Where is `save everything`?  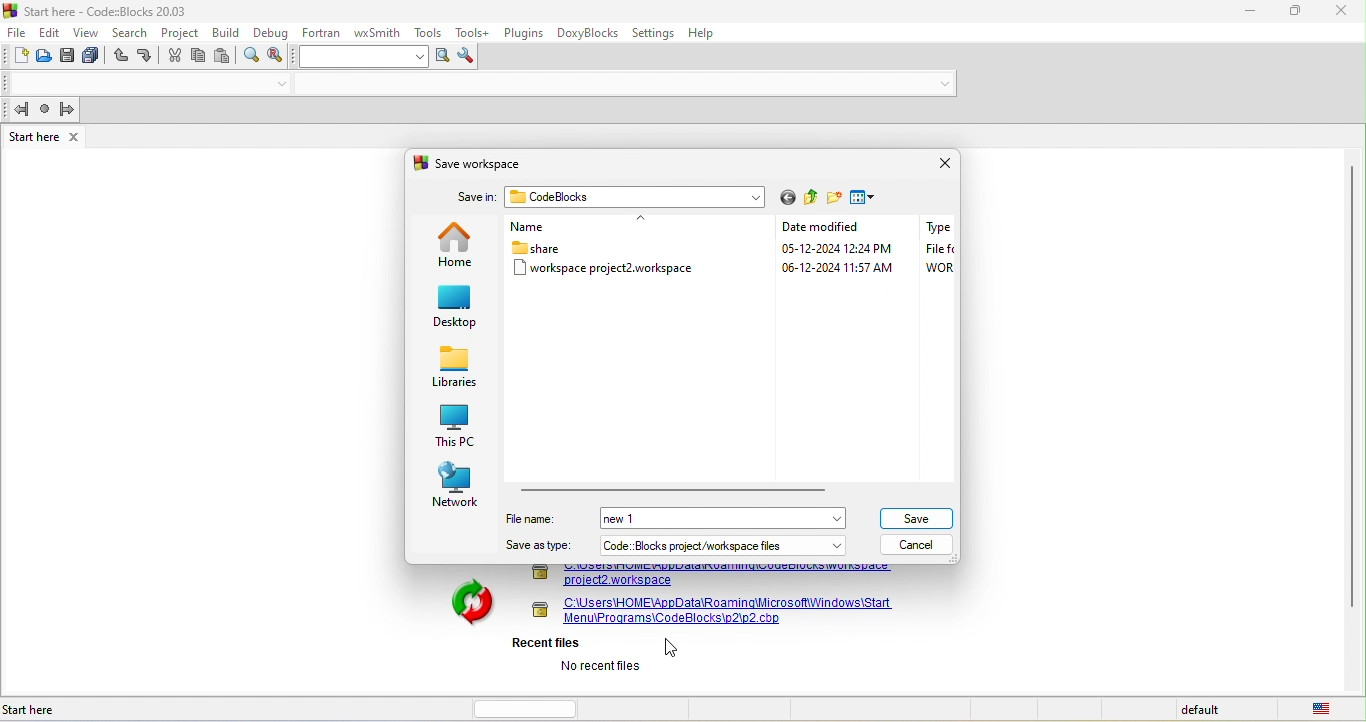
save everything is located at coordinates (94, 58).